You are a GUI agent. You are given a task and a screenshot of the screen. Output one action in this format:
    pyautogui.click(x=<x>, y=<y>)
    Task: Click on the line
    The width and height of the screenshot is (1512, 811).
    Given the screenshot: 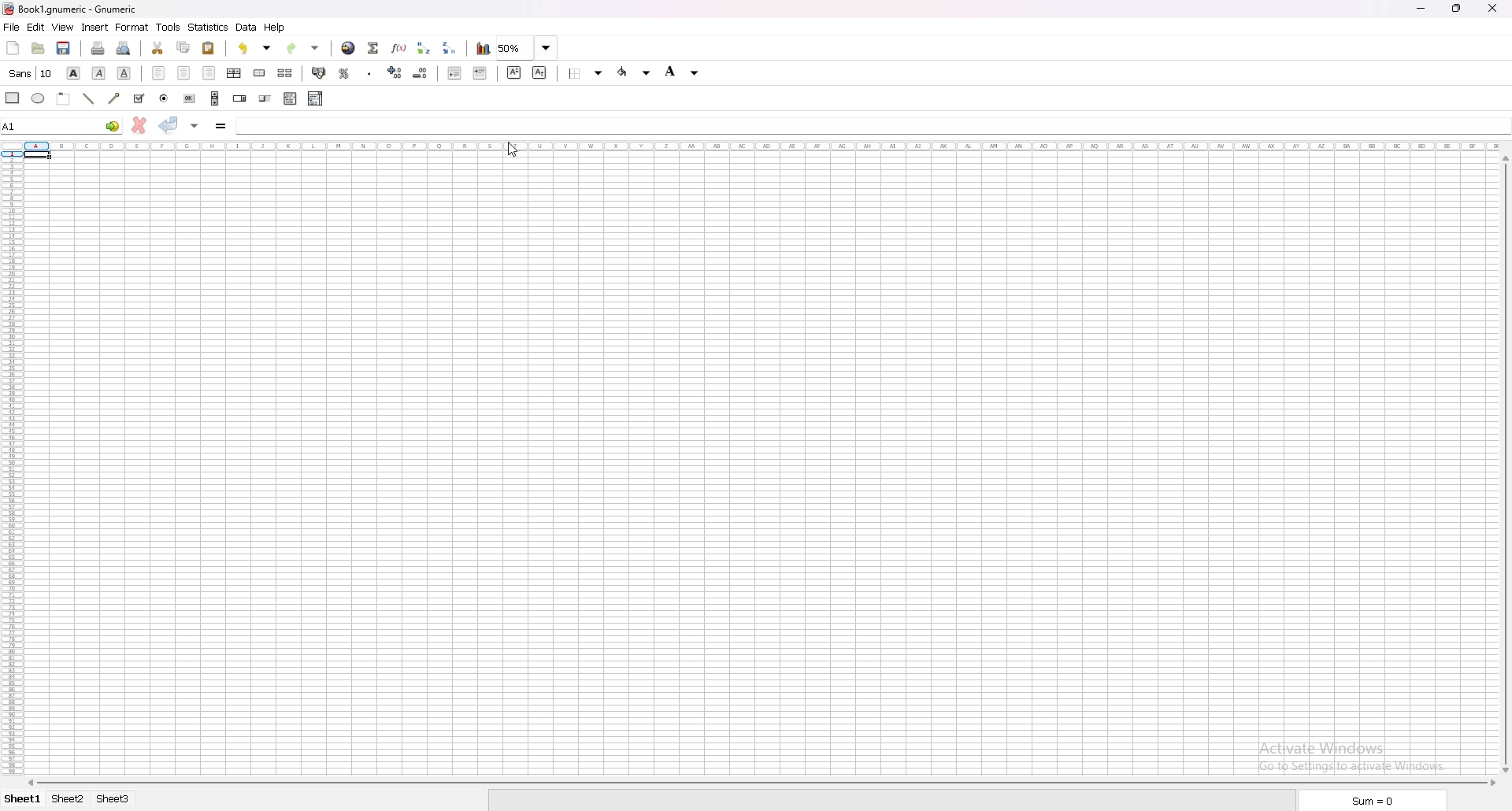 What is the action you would take?
    pyautogui.click(x=89, y=98)
    